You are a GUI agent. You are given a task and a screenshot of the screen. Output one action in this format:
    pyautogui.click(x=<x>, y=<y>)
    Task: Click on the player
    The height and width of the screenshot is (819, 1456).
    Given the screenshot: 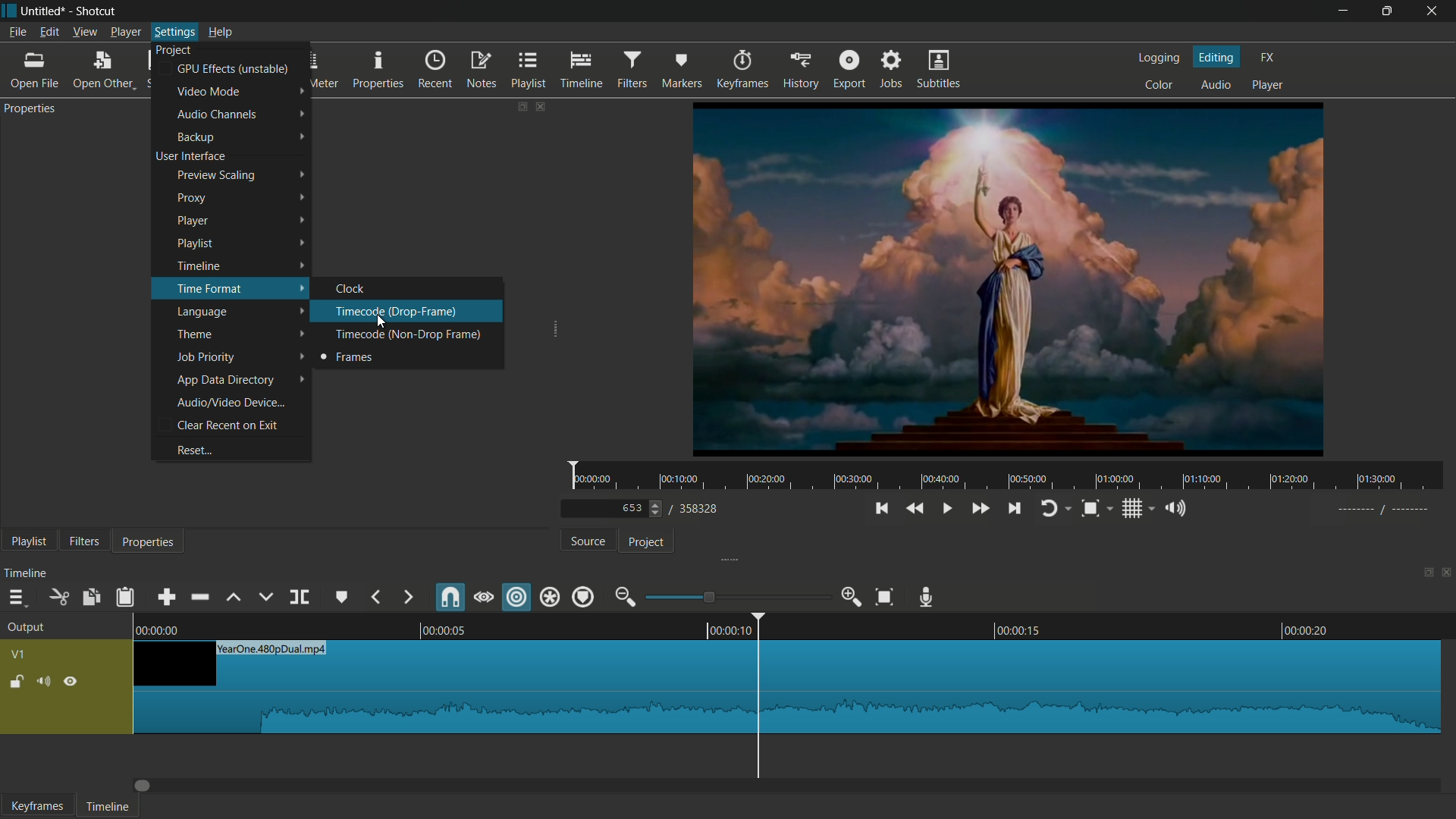 What is the action you would take?
    pyautogui.click(x=193, y=221)
    